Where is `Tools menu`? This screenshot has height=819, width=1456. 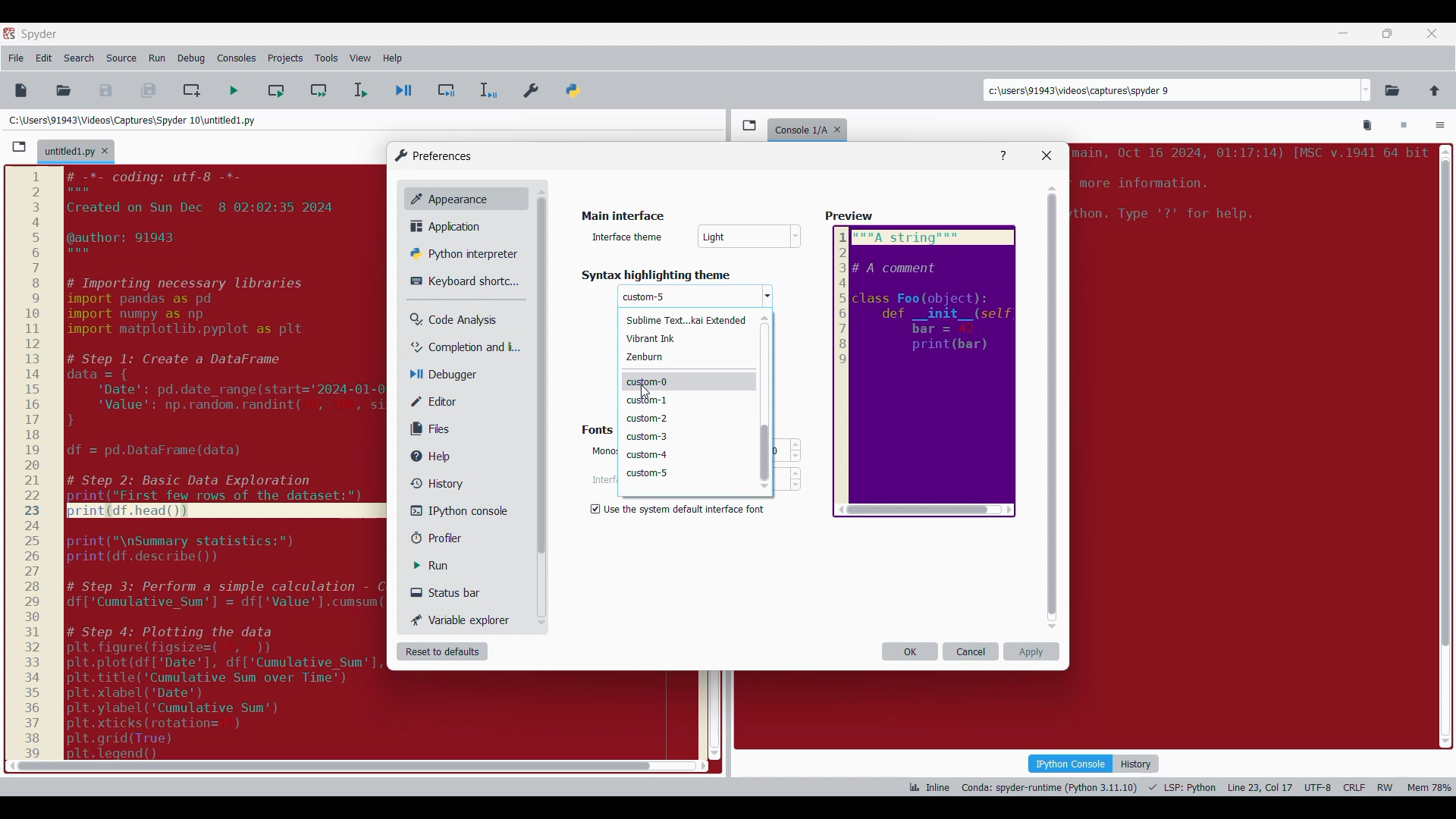 Tools menu is located at coordinates (326, 58).